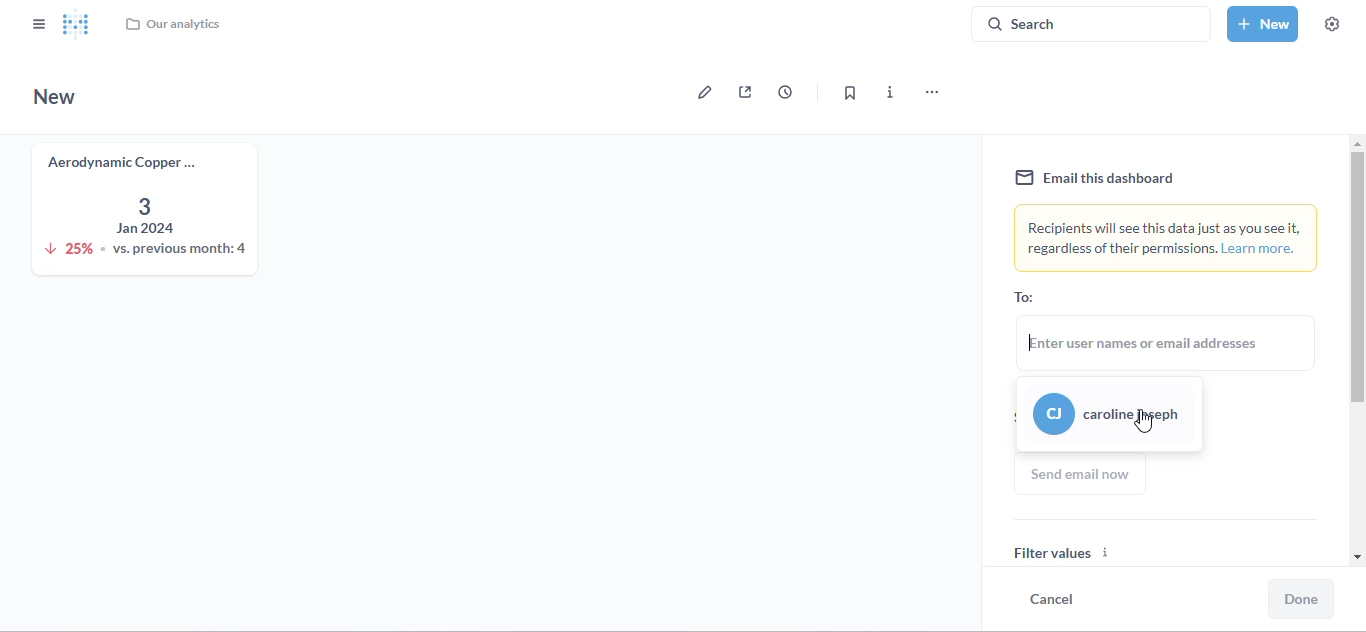 This screenshot has width=1366, height=632. Describe the element at coordinates (1167, 238) in the screenshot. I see `recipients will see this data just as you see it, regardless of their permissions. learn more` at that location.